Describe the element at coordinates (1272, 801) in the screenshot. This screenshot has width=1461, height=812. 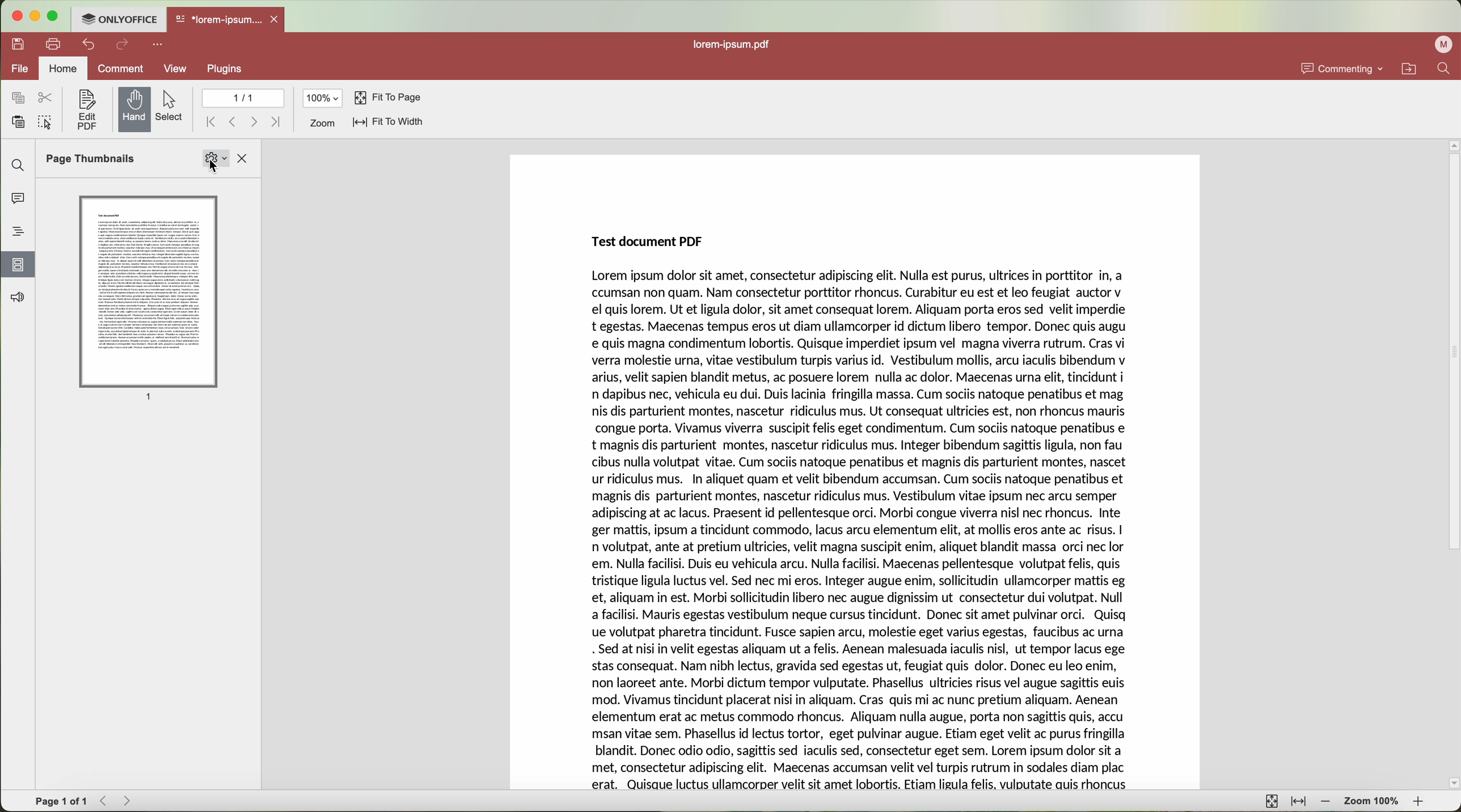
I see `fit to page` at that location.